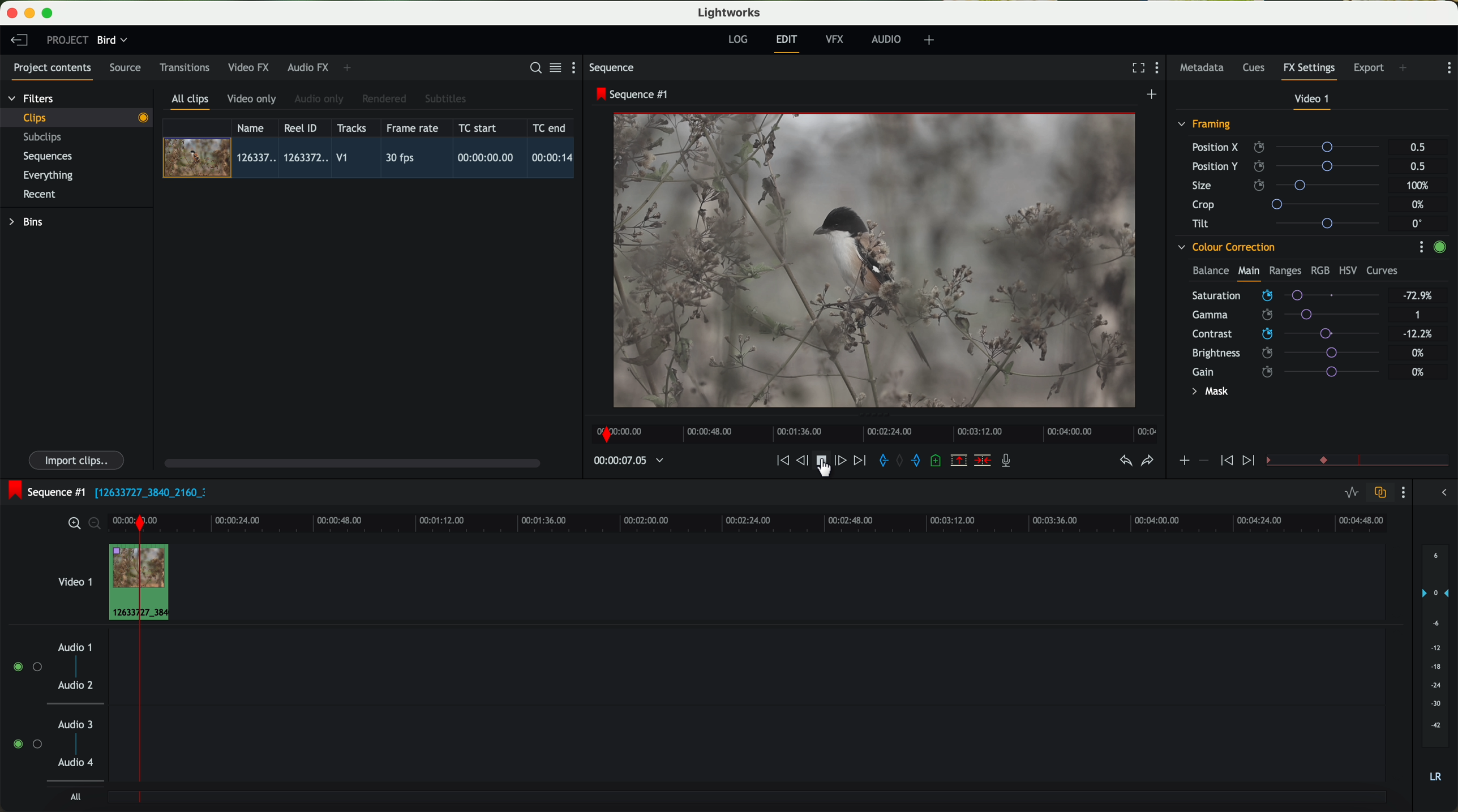 The width and height of the screenshot is (1458, 812). What do you see at coordinates (479, 127) in the screenshot?
I see `TC start` at bounding box center [479, 127].